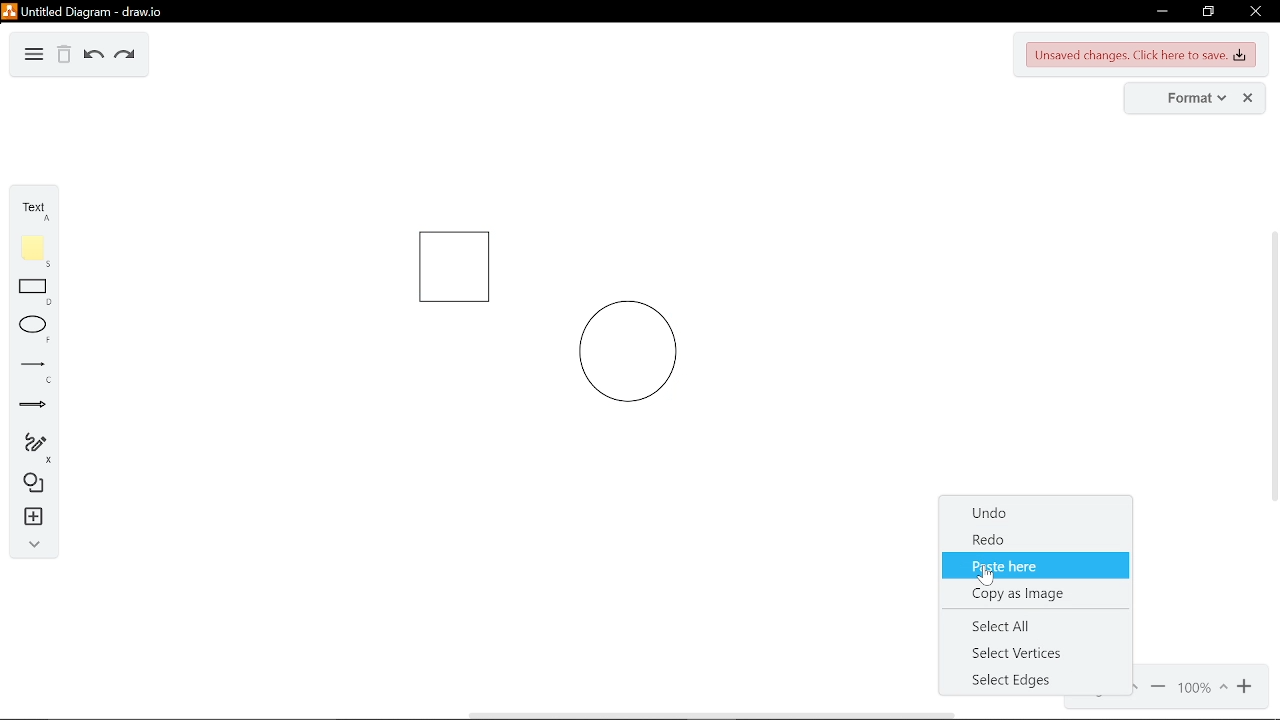 This screenshot has height=720, width=1280. What do you see at coordinates (1254, 11) in the screenshot?
I see `close` at bounding box center [1254, 11].